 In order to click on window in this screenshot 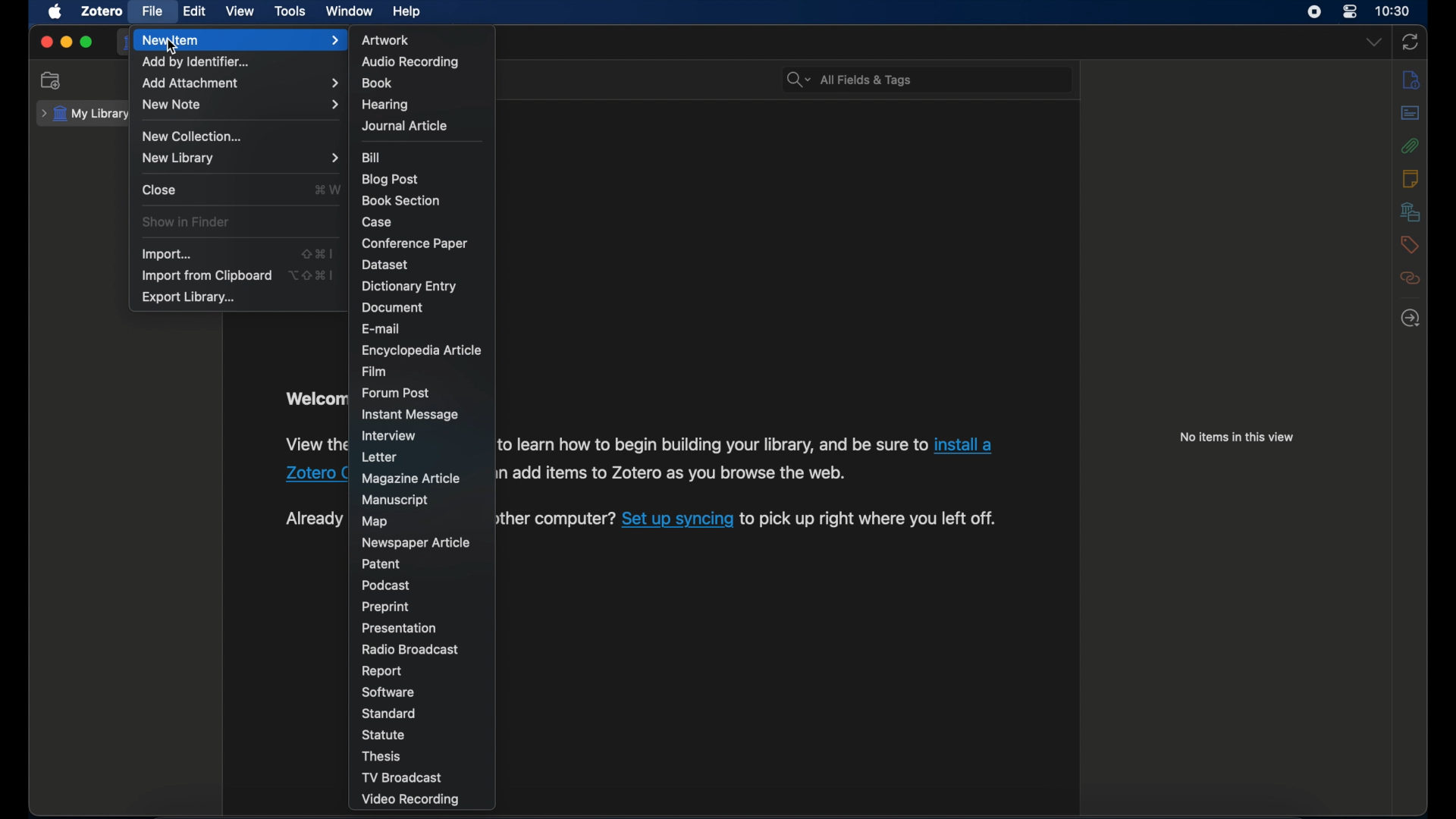, I will do `click(350, 11)`.